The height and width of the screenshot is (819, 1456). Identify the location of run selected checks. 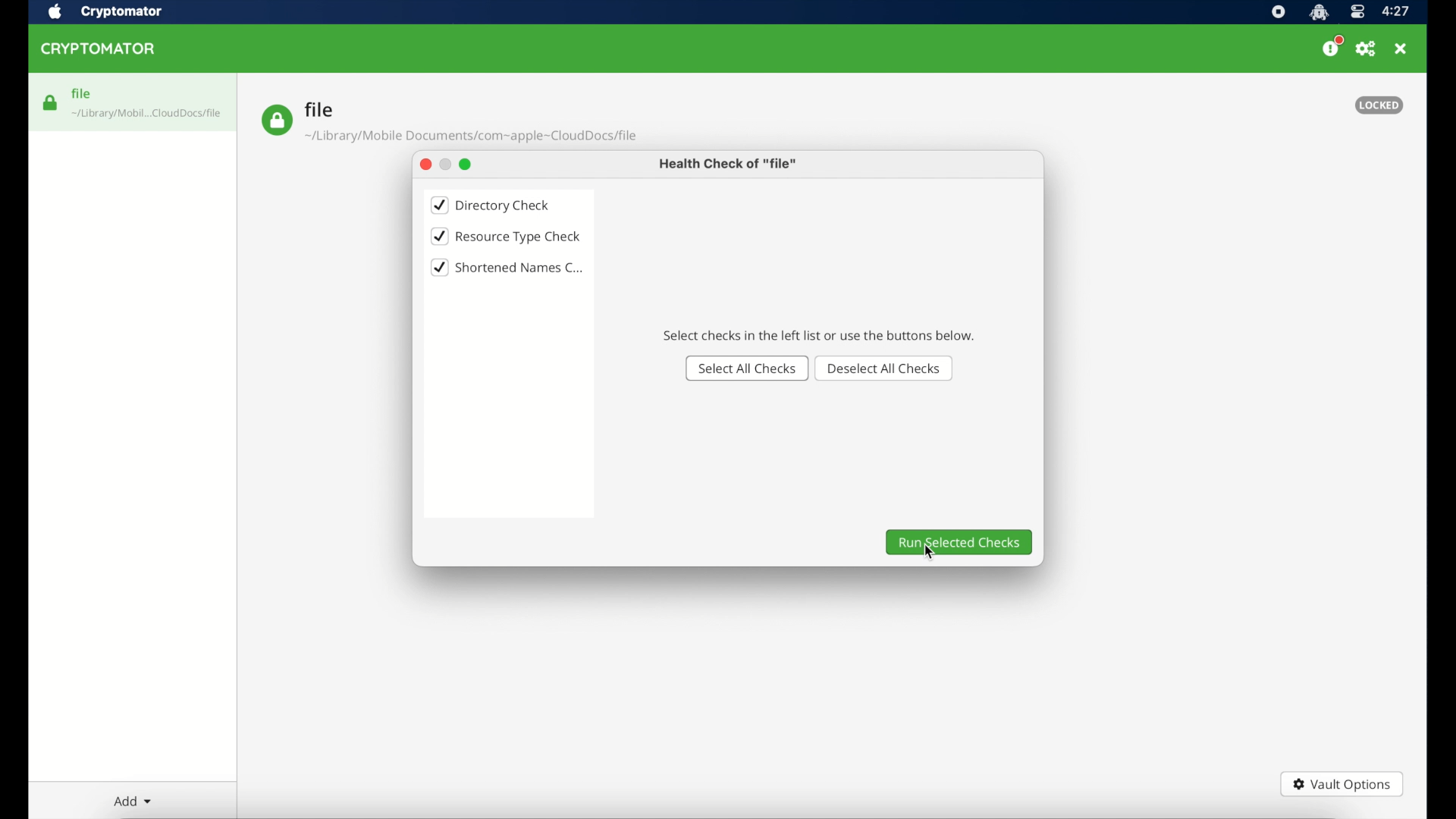
(959, 542).